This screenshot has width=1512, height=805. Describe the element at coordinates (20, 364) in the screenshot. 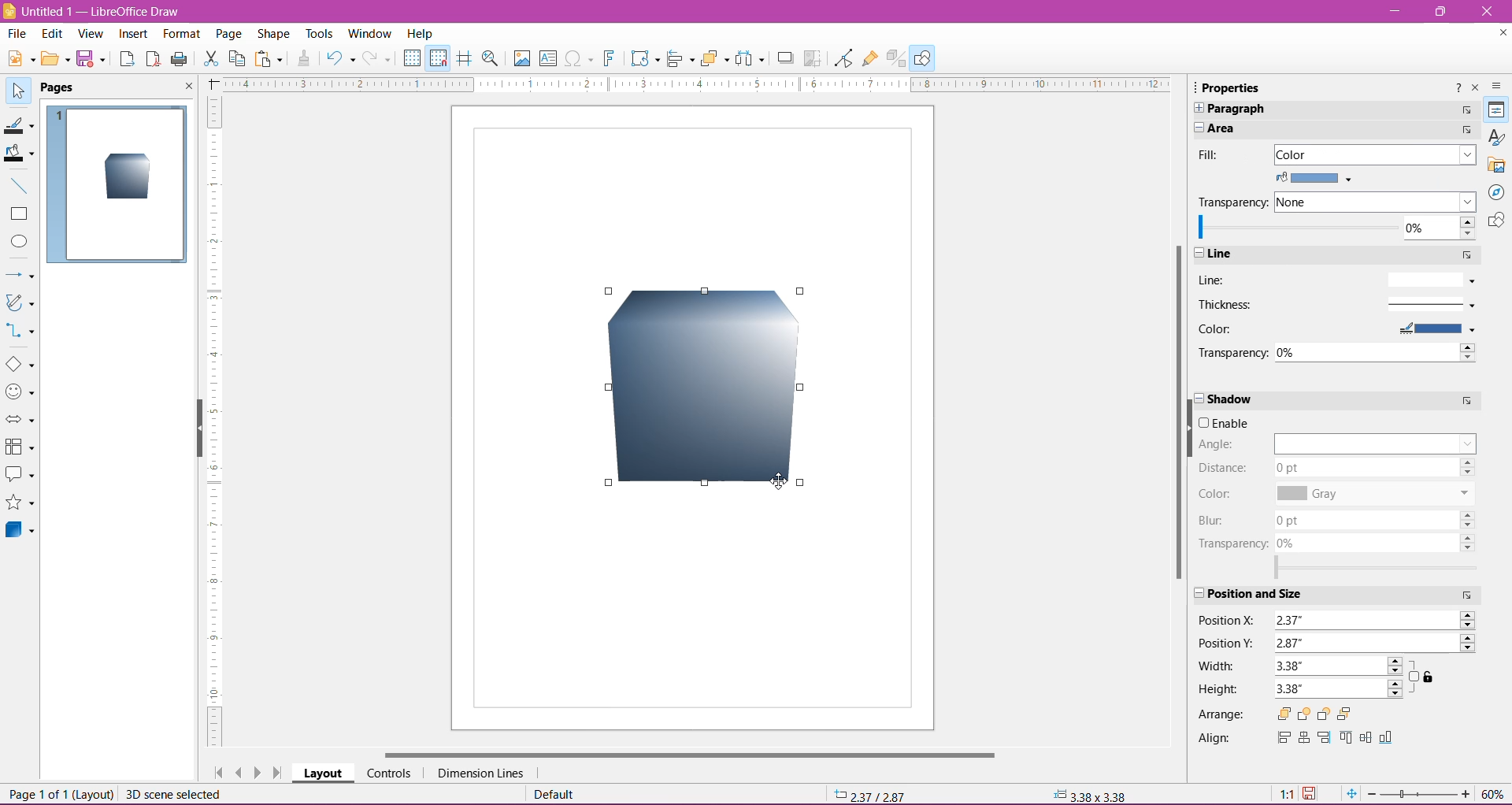

I see `Basic Shapes` at that location.